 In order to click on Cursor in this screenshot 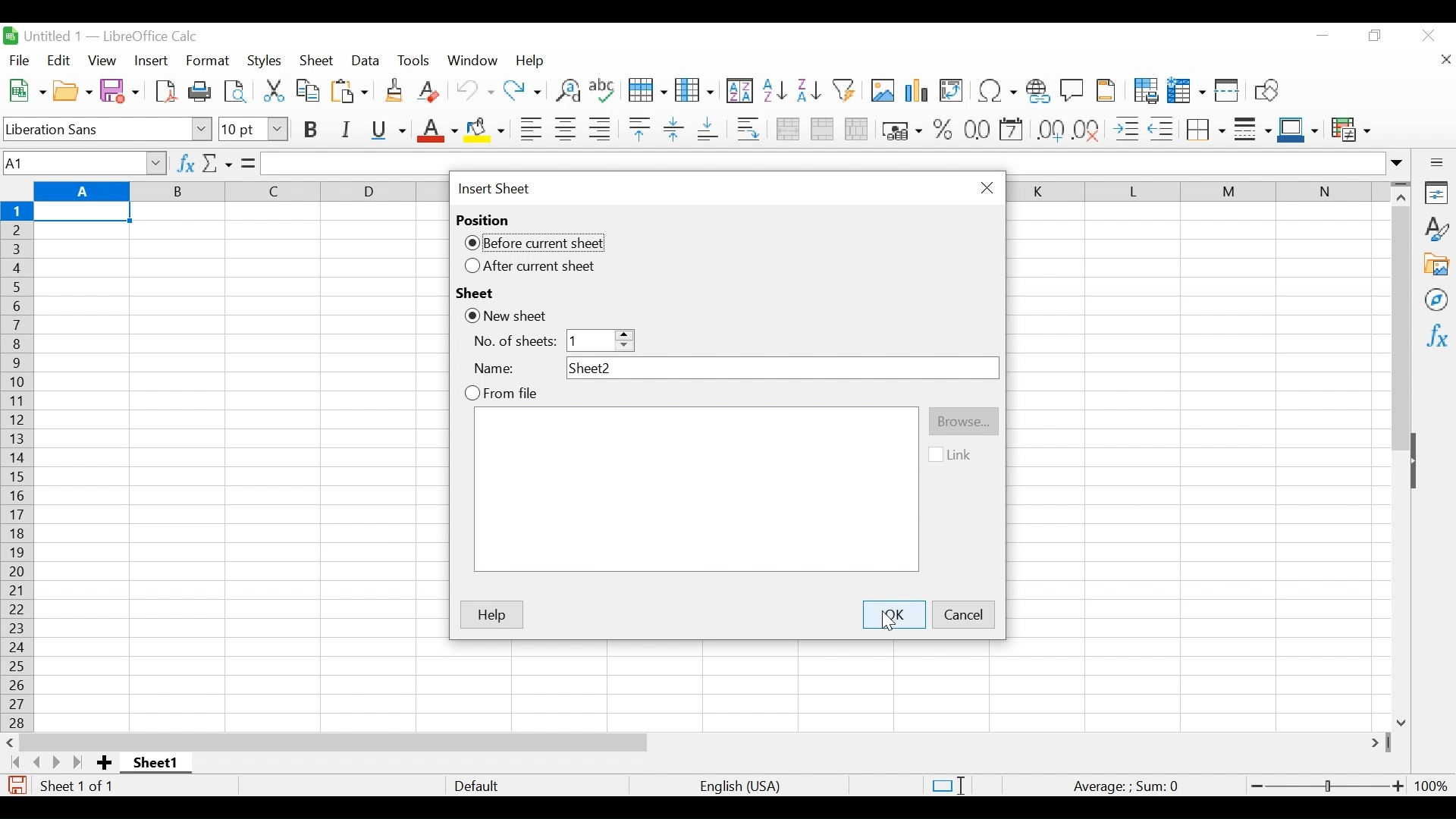, I will do `click(886, 622)`.